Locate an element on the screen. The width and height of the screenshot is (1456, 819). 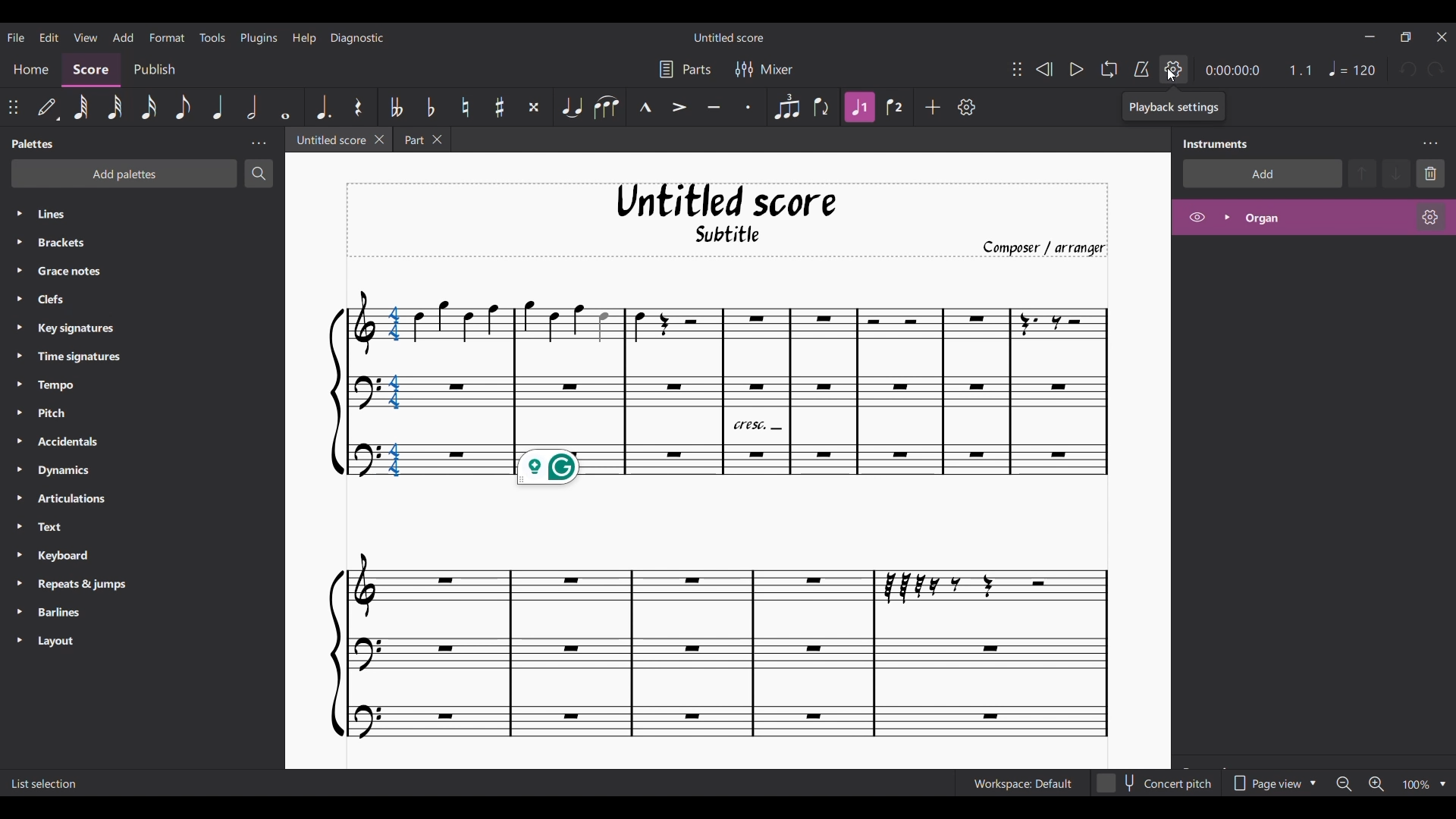
Slur is located at coordinates (607, 108).